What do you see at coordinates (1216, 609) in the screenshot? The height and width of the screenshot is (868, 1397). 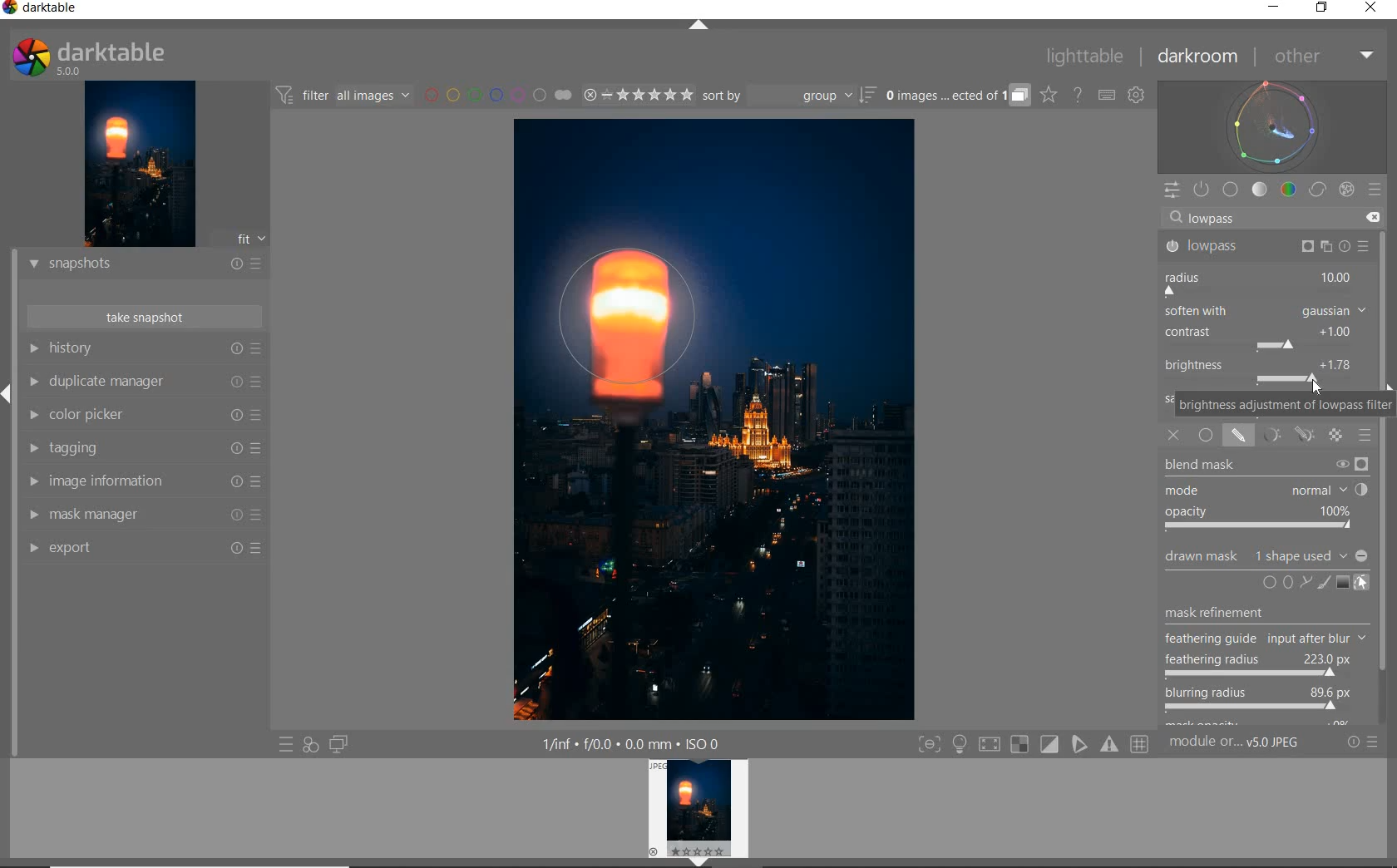 I see `Mask refinement` at bounding box center [1216, 609].